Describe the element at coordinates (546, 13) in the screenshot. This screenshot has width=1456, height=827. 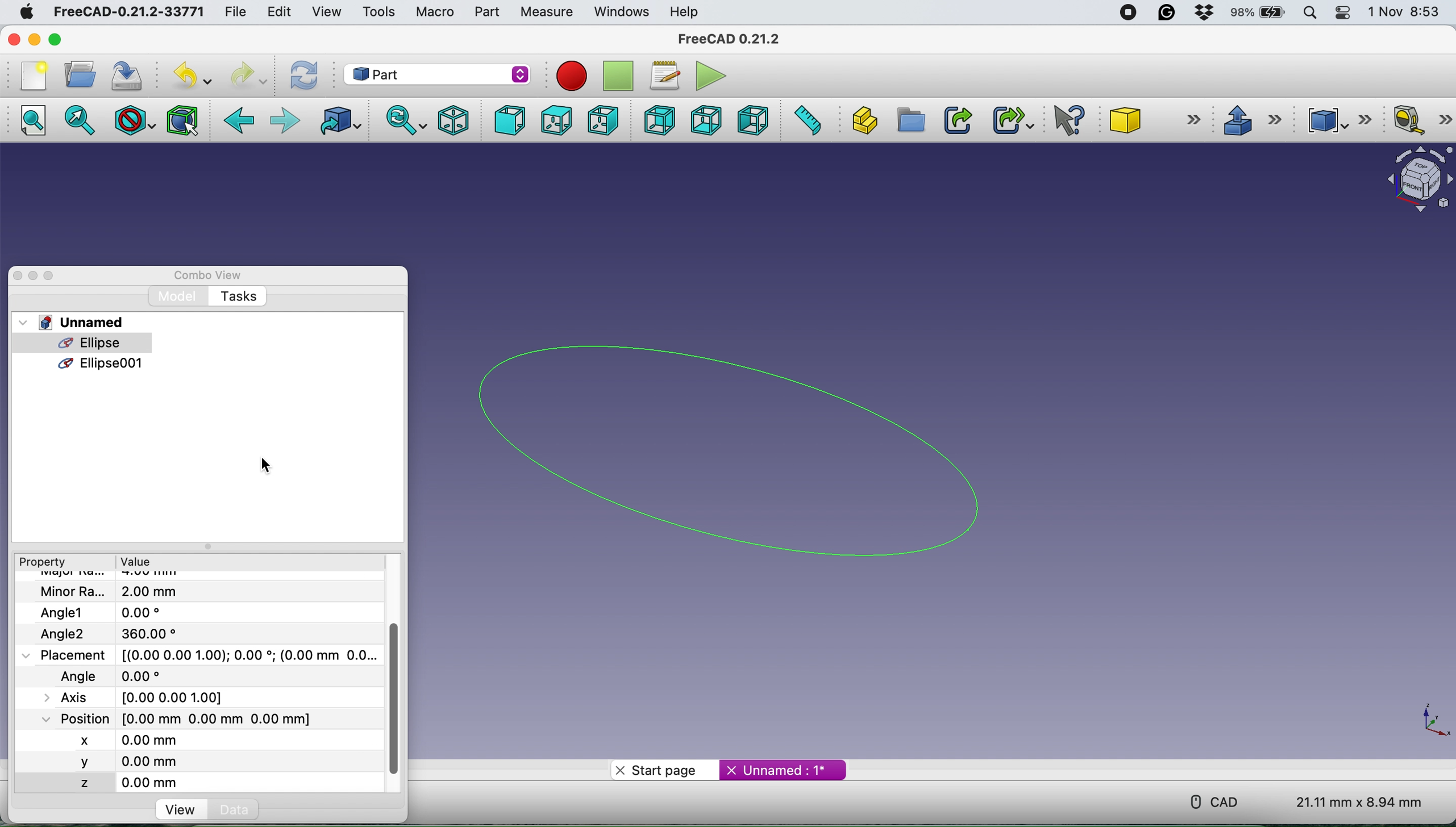
I see `measure` at that location.